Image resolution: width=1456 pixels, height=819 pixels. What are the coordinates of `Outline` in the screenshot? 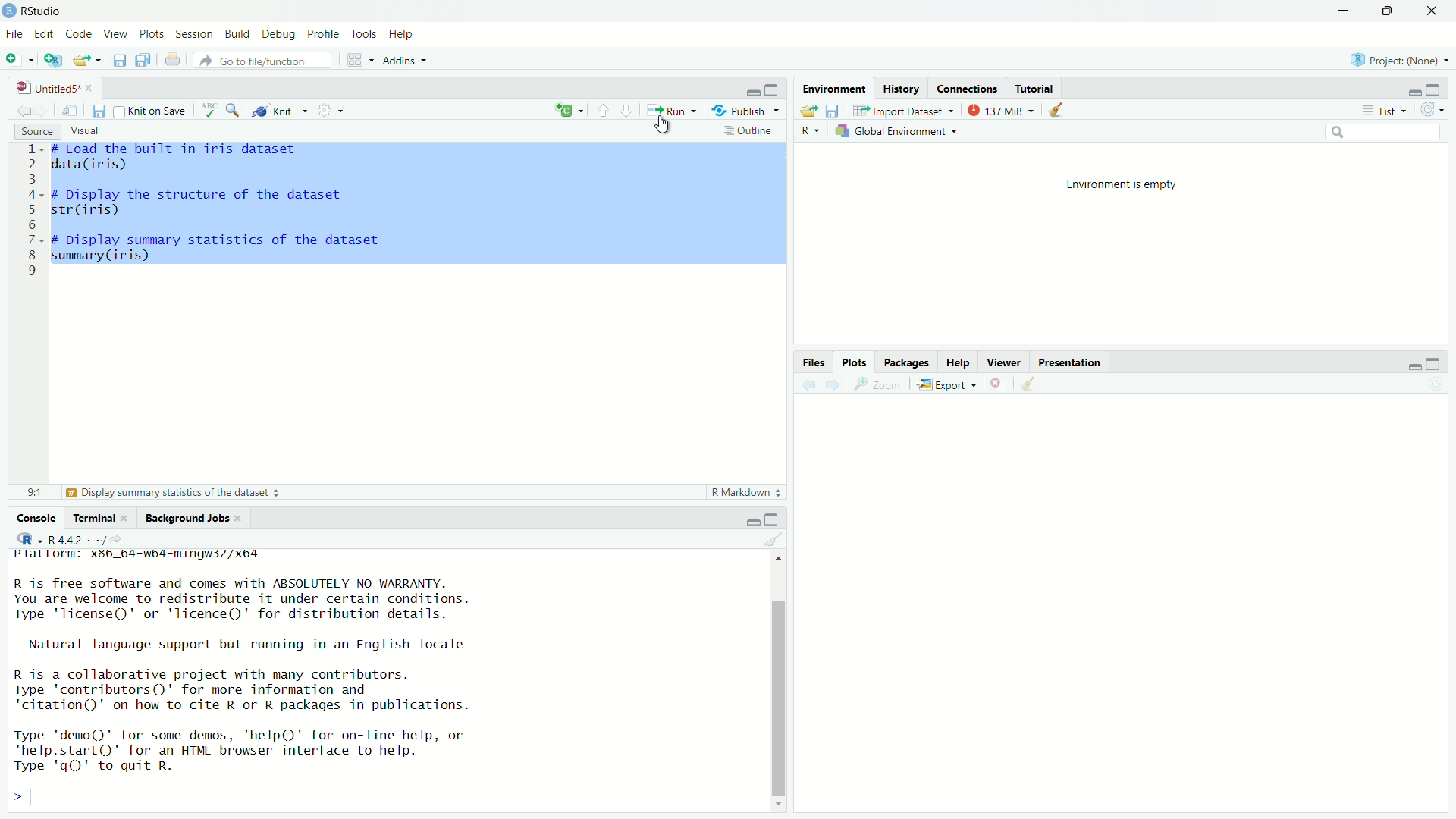 It's located at (753, 132).